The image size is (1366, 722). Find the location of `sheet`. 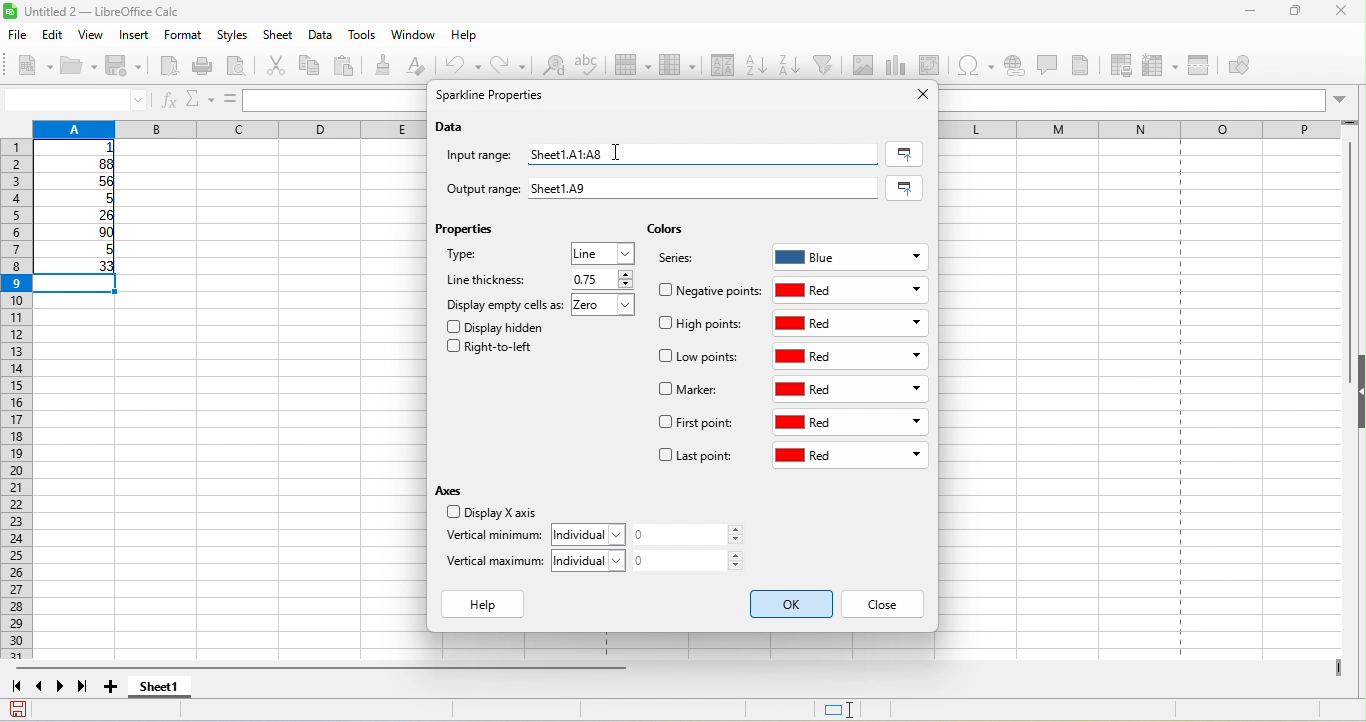

sheet is located at coordinates (280, 36).